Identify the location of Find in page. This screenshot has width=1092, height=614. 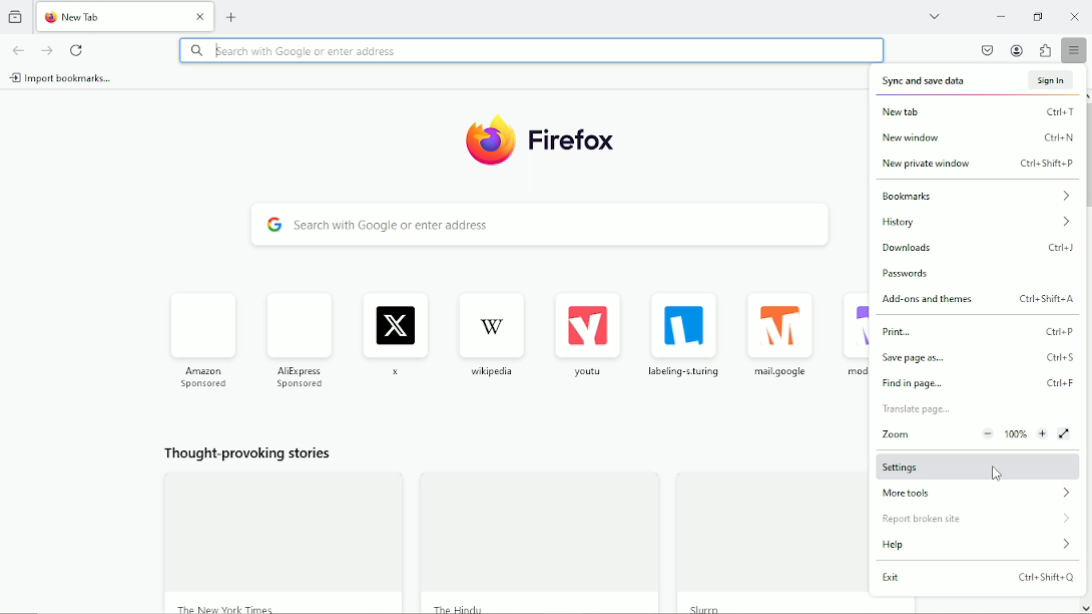
(978, 384).